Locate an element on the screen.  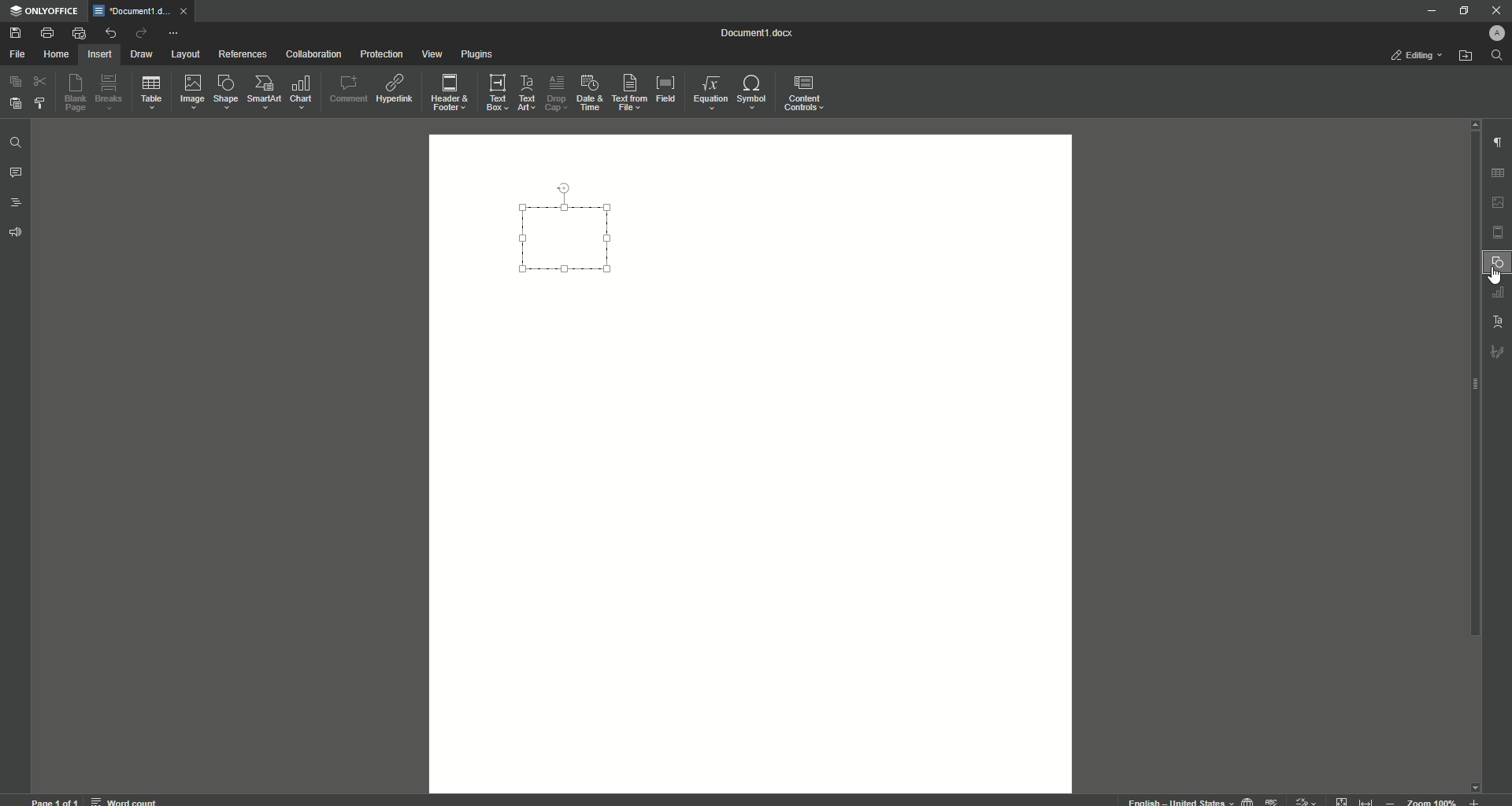
scroll down is located at coordinates (1474, 783).